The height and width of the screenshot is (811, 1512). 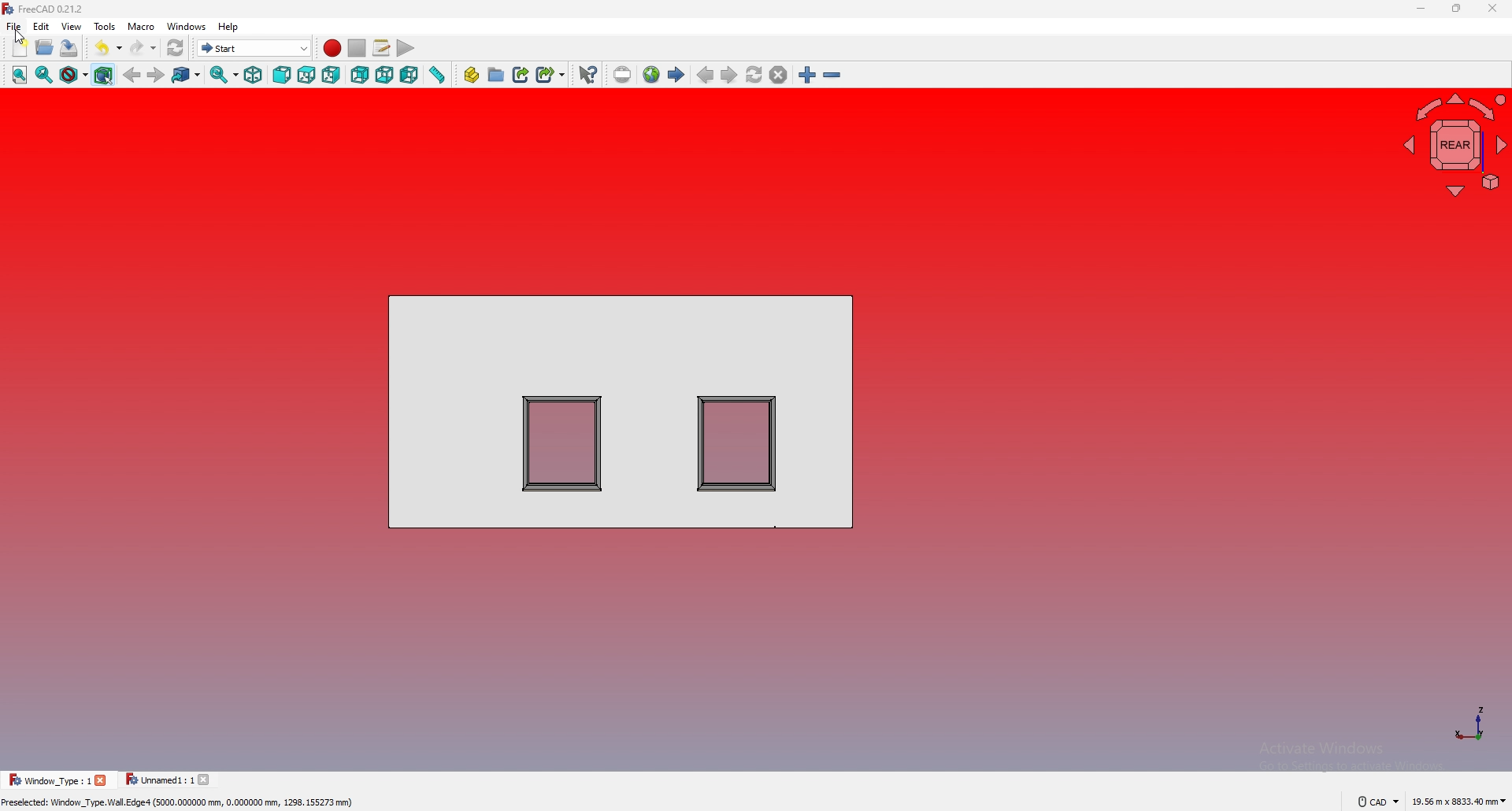 What do you see at coordinates (50, 780) in the screenshot?
I see `Window_Type: 1` at bounding box center [50, 780].